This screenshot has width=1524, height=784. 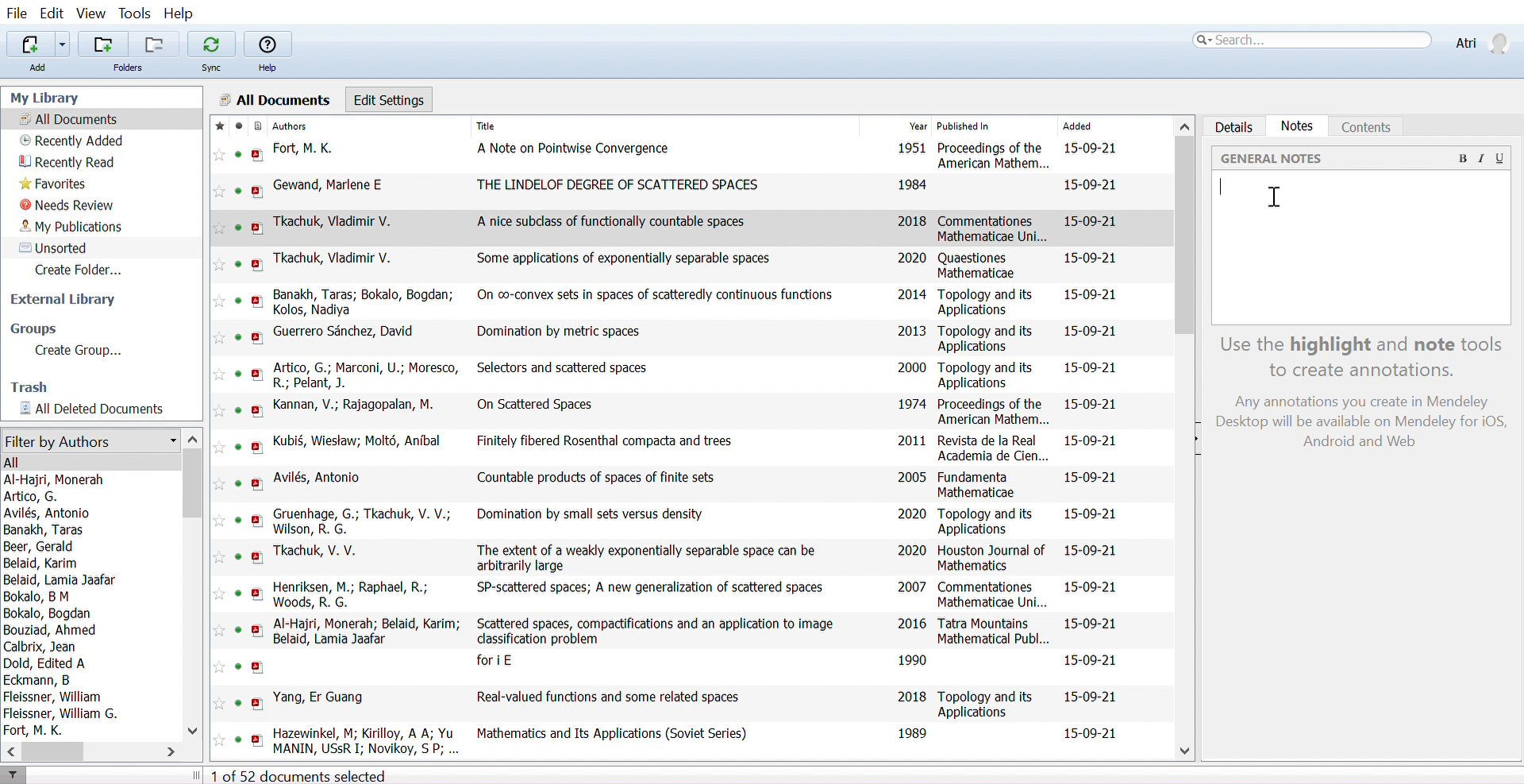 What do you see at coordinates (329, 186) in the screenshot?
I see `Gewand, Marlene E` at bounding box center [329, 186].